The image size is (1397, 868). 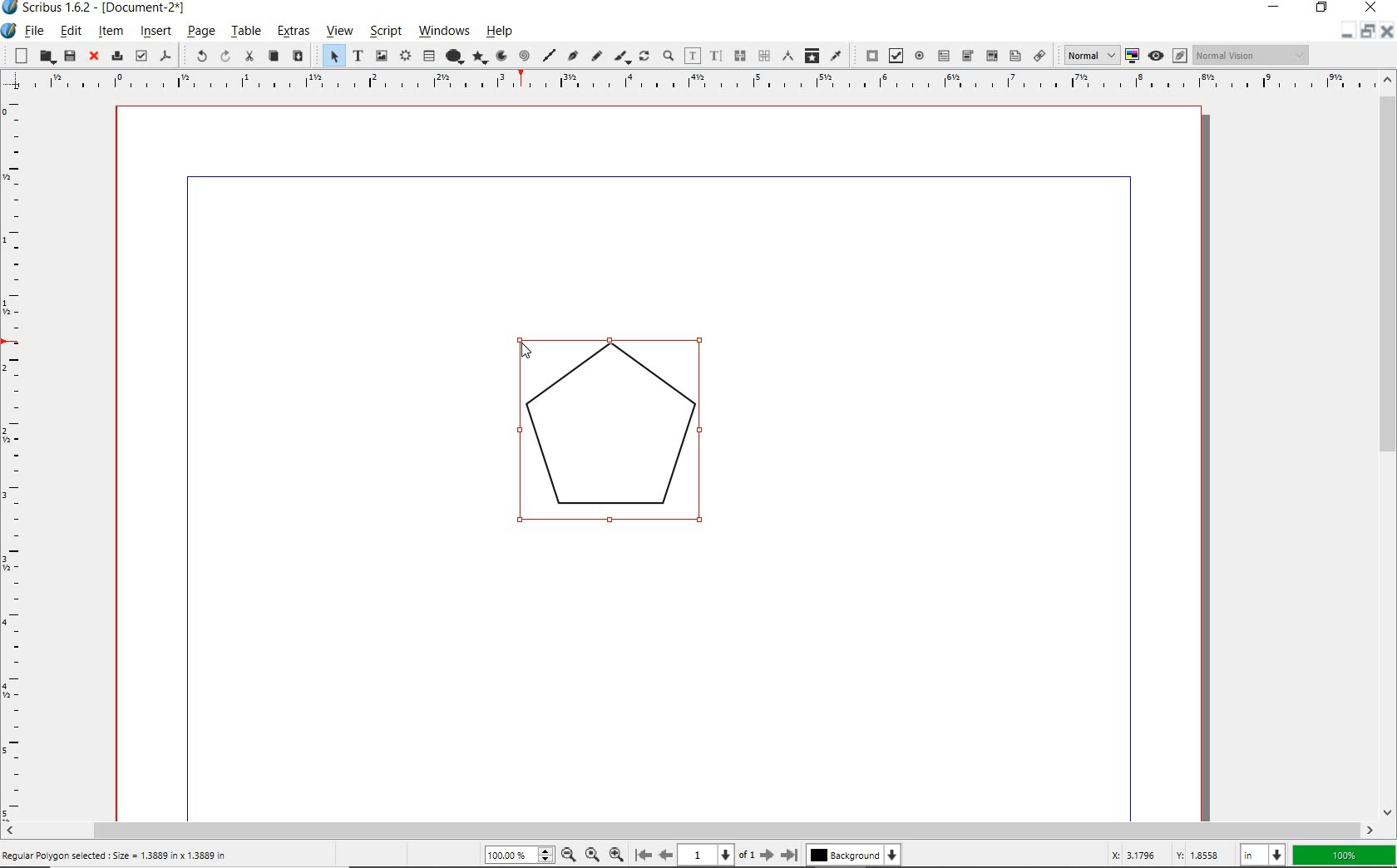 I want to click on pdf check box, so click(x=894, y=57).